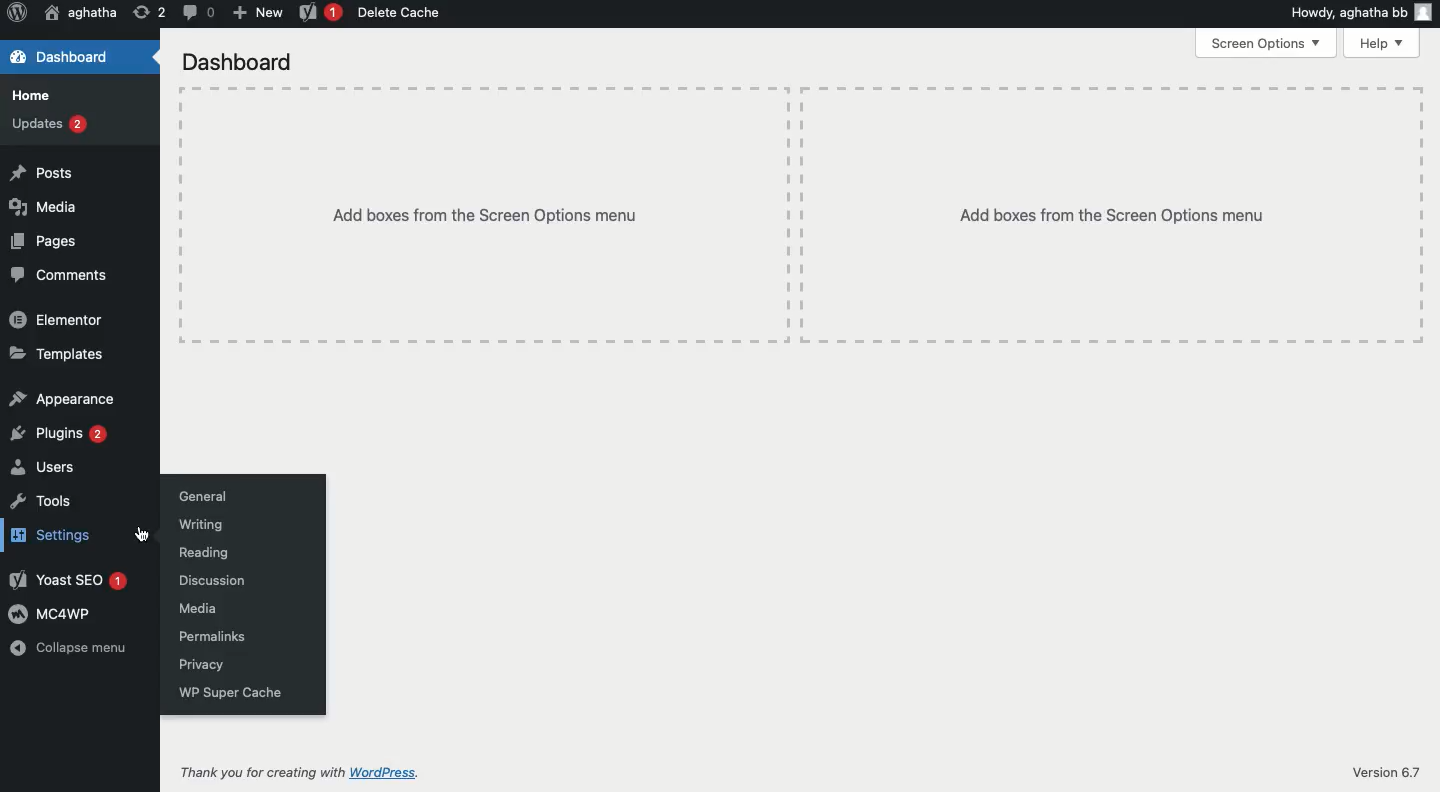 The width and height of the screenshot is (1440, 792). What do you see at coordinates (194, 610) in the screenshot?
I see `Media` at bounding box center [194, 610].